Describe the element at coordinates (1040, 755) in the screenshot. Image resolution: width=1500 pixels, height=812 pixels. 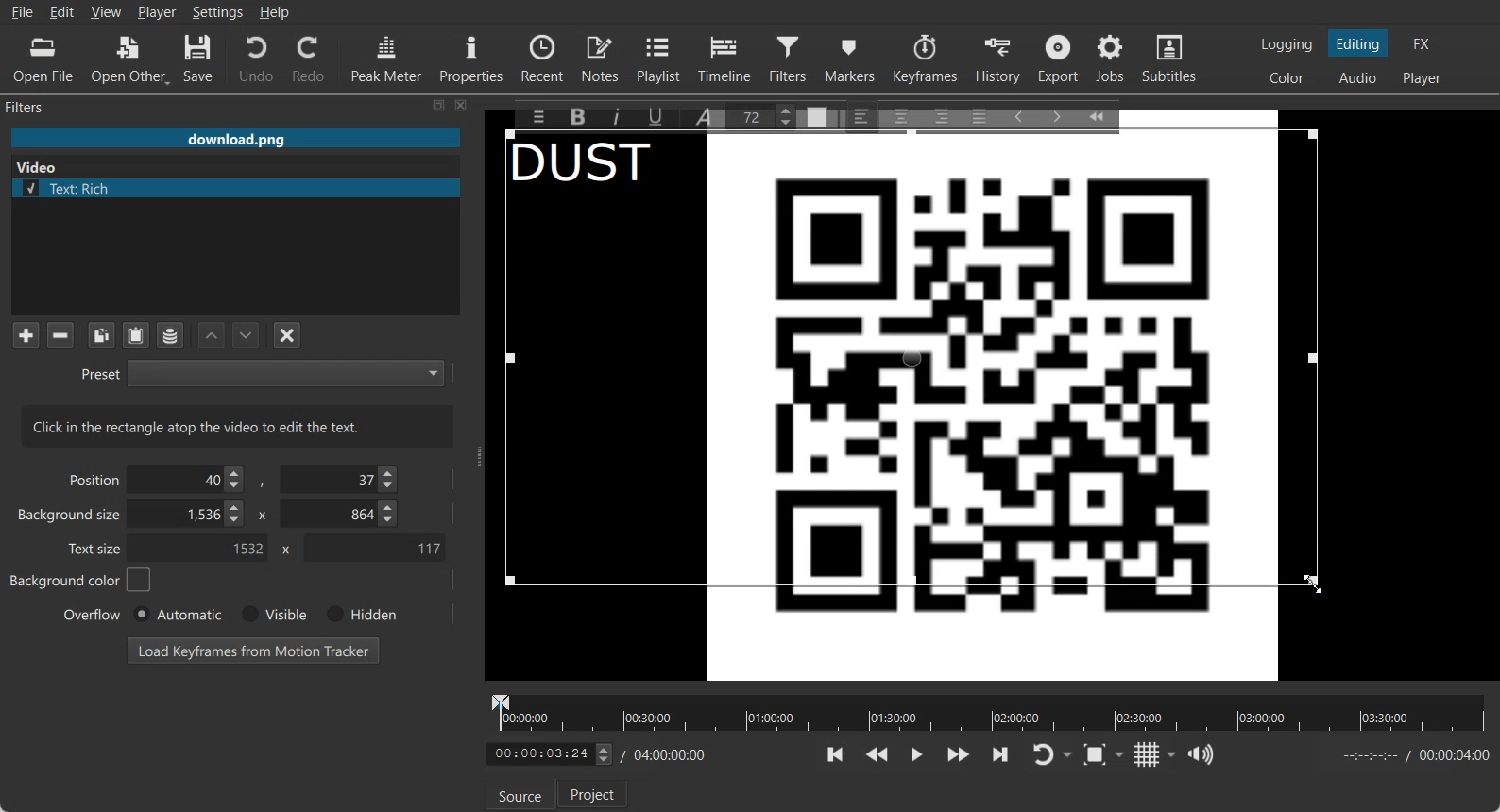
I see `Toggle player lopping` at that location.